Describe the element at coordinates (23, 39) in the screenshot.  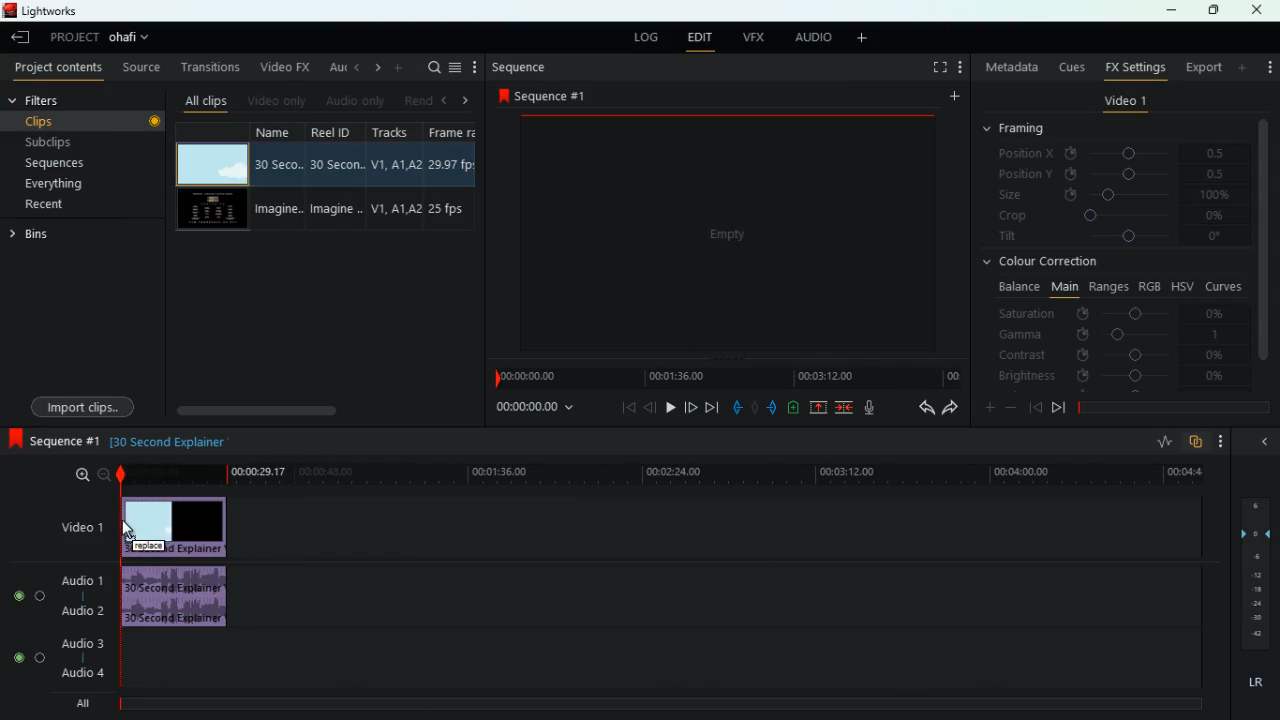
I see `back` at that location.